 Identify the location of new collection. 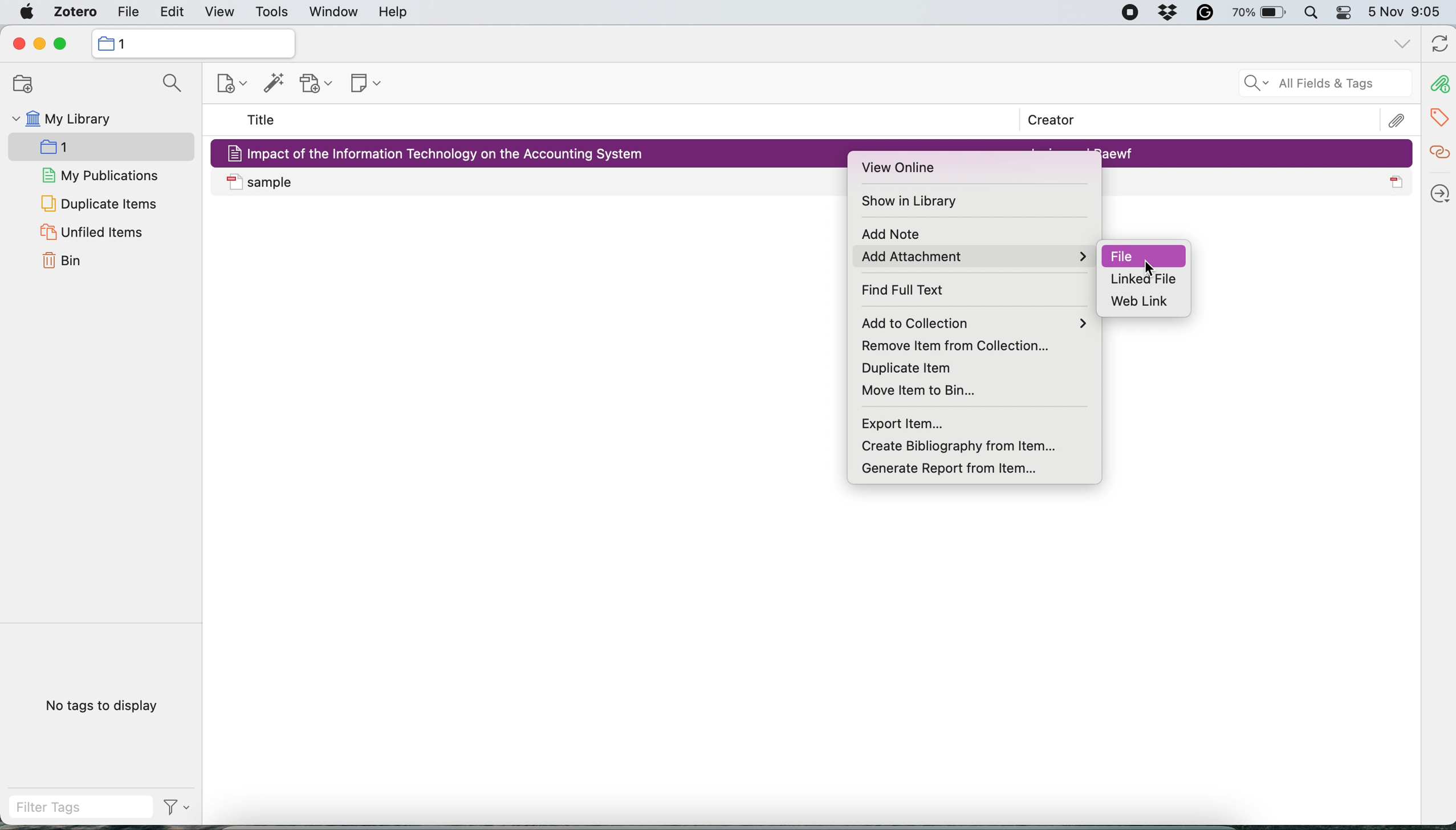
(192, 43).